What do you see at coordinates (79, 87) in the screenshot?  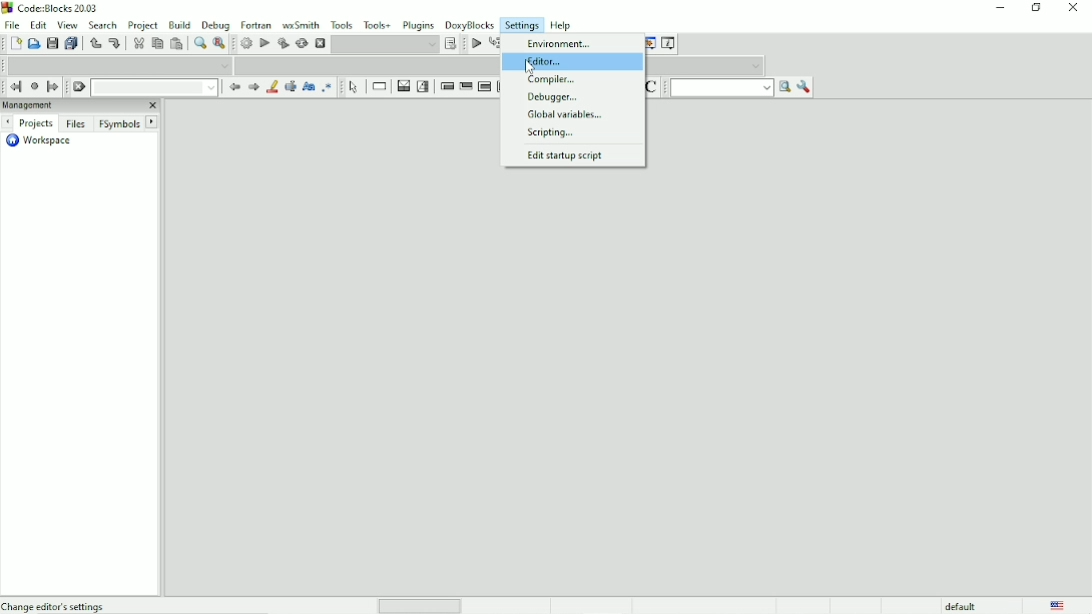 I see `Clear` at bounding box center [79, 87].